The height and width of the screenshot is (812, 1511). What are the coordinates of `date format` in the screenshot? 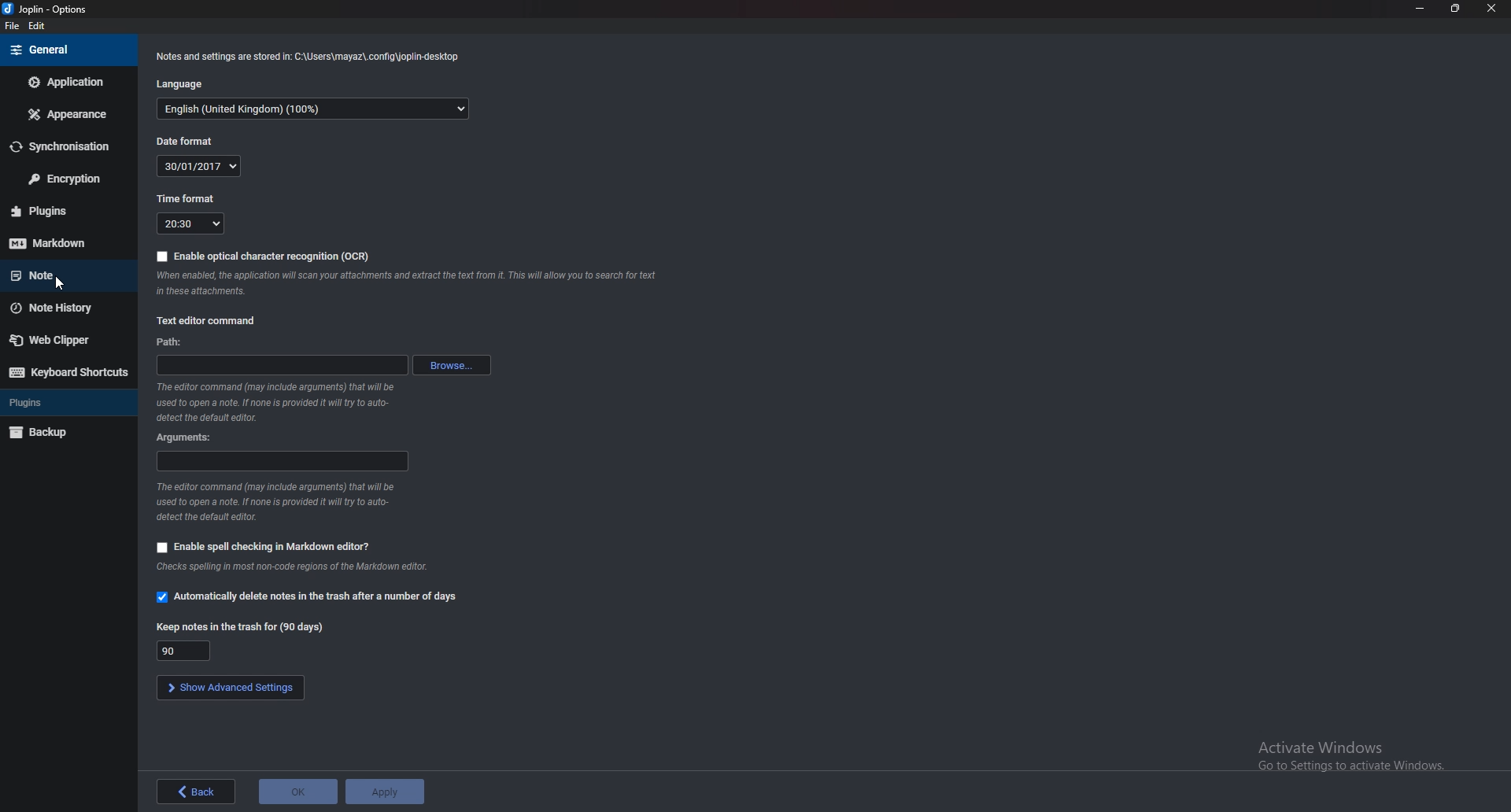 It's located at (201, 167).